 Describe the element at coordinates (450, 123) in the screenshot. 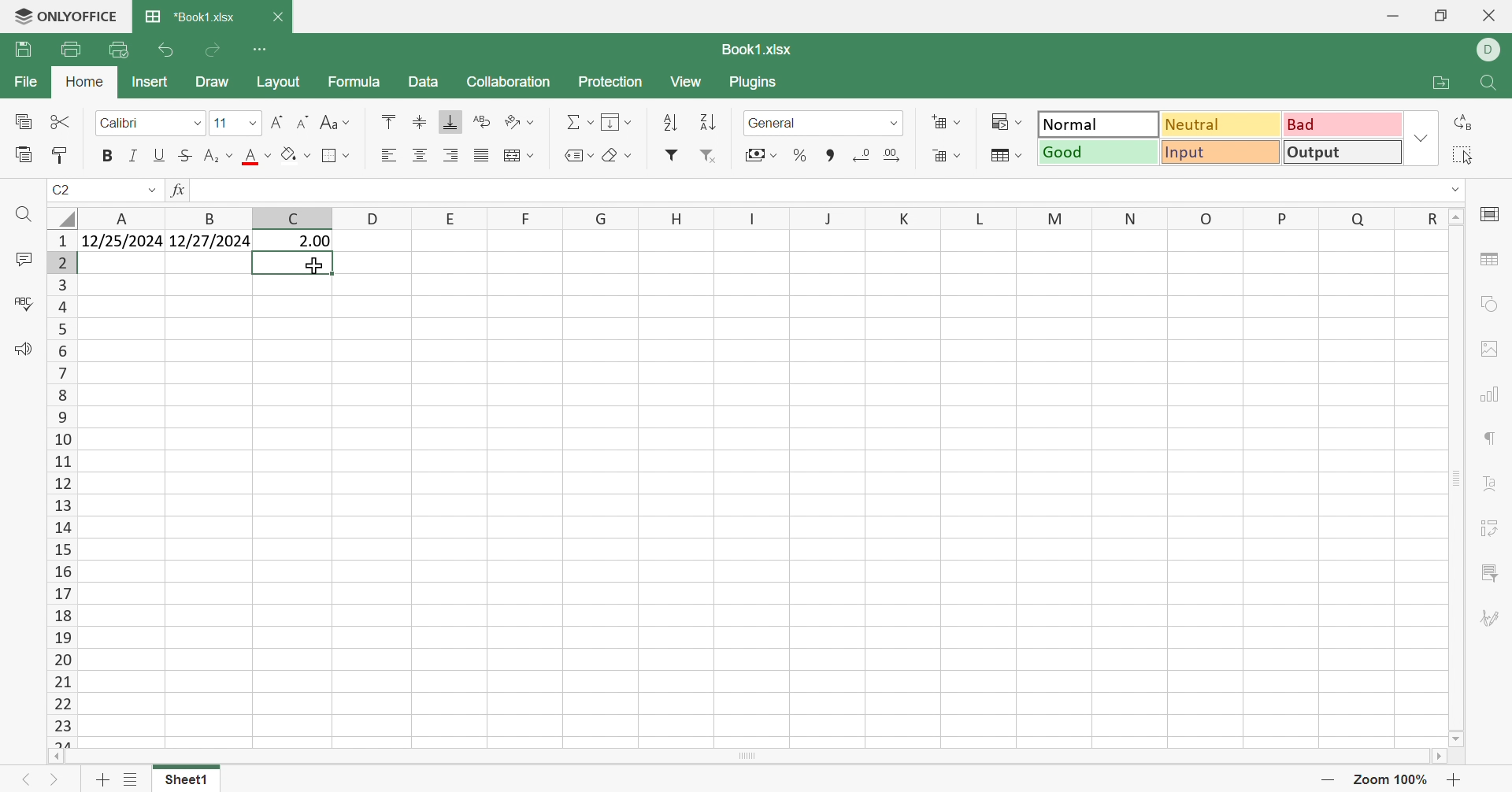

I see `Align Bottom` at that location.